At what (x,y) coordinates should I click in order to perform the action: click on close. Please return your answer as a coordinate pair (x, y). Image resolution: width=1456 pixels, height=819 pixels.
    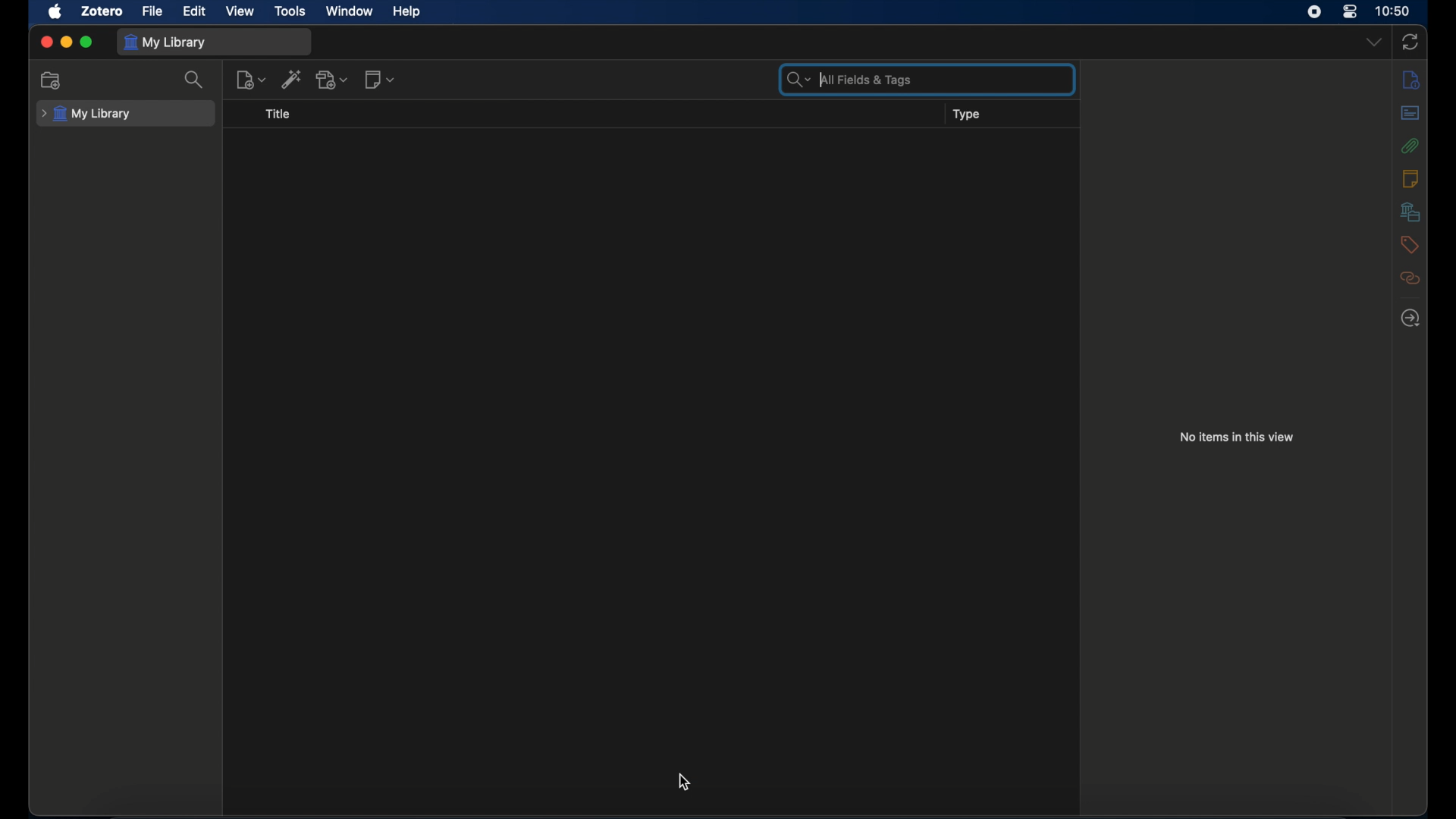
    Looking at the image, I should click on (45, 41).